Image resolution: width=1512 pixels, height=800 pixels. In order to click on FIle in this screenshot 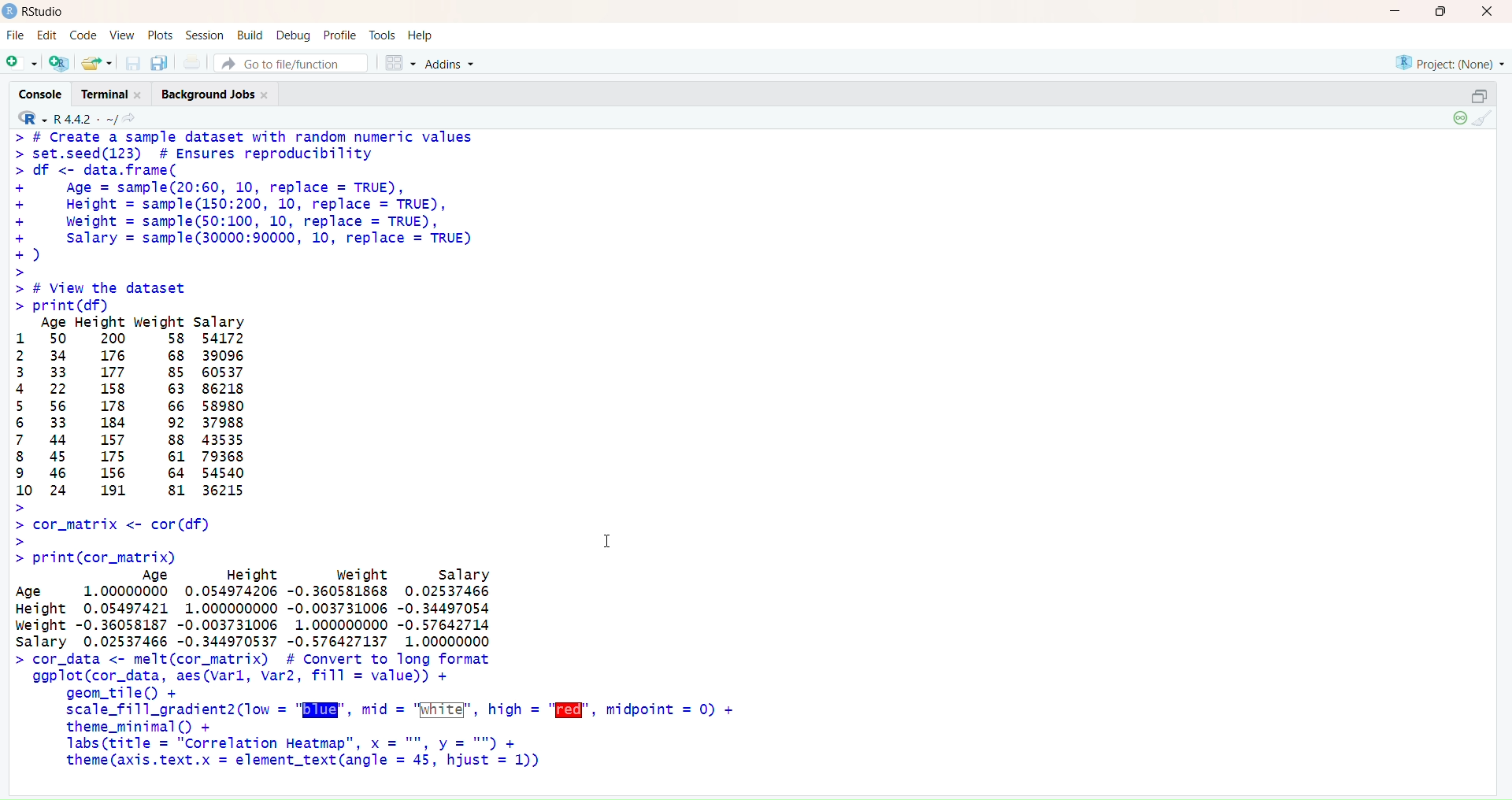, I will do `click(16, 35)`.